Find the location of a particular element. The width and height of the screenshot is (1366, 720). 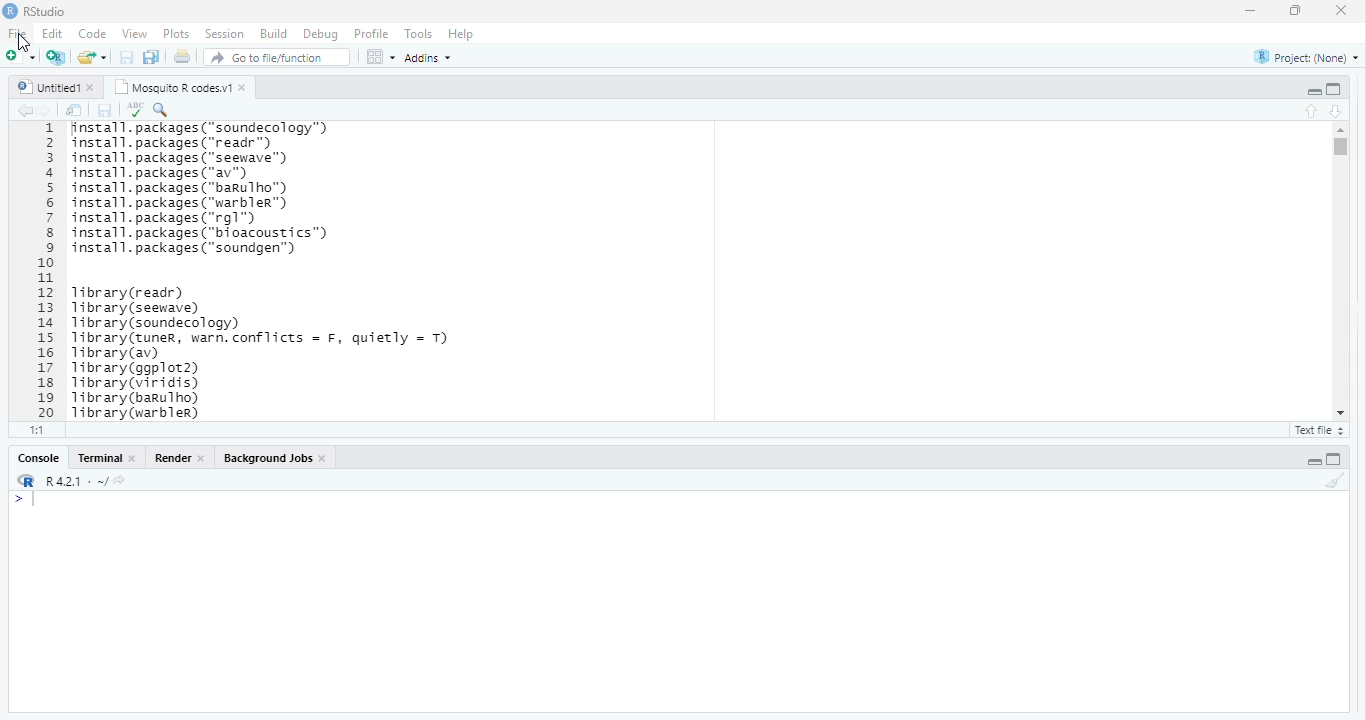

search in doc is located at coordinates (75, 110).